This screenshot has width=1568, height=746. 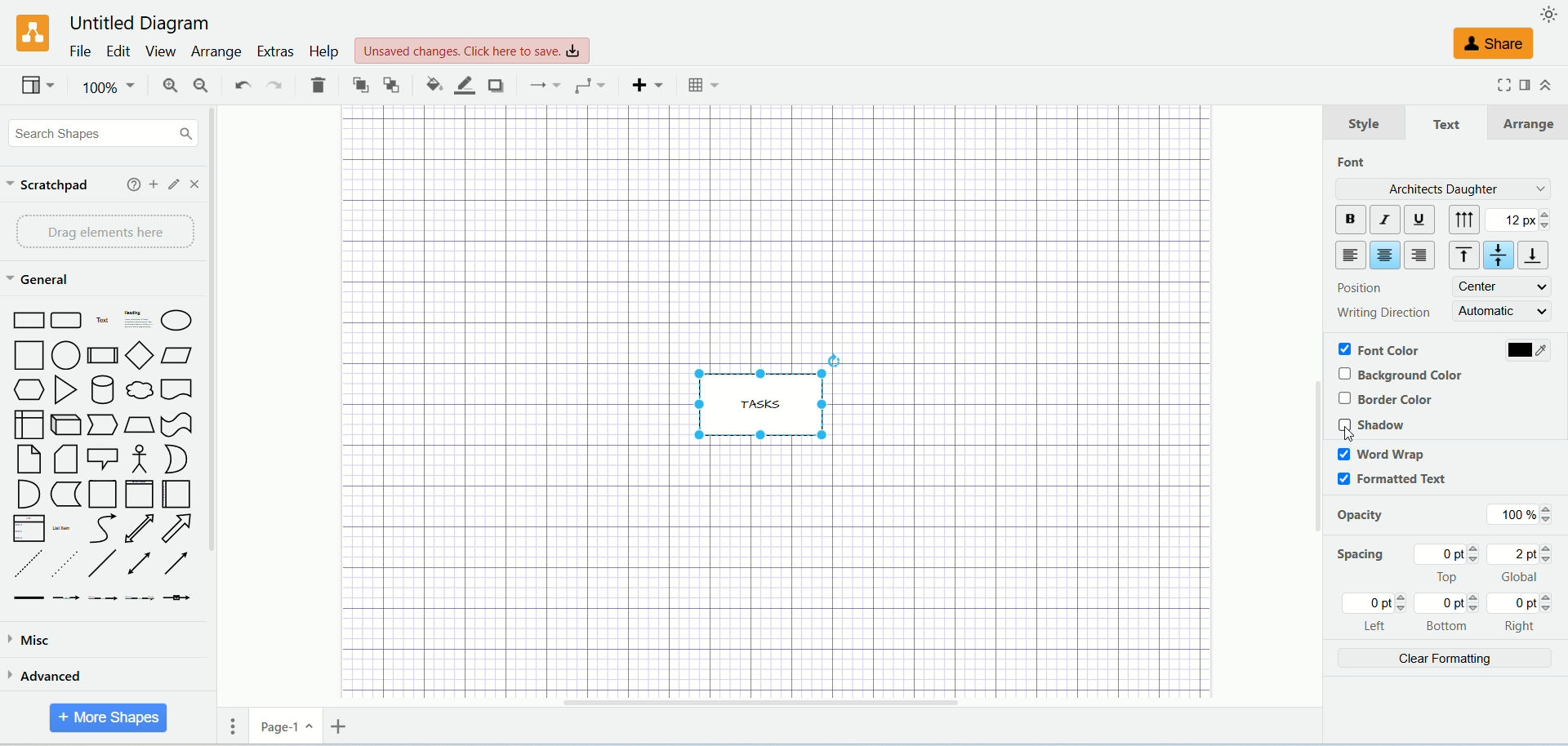 What do you see at coordinates (1459, 257) in the screenshot?
I see `top` at bounding box center [1459, 257].